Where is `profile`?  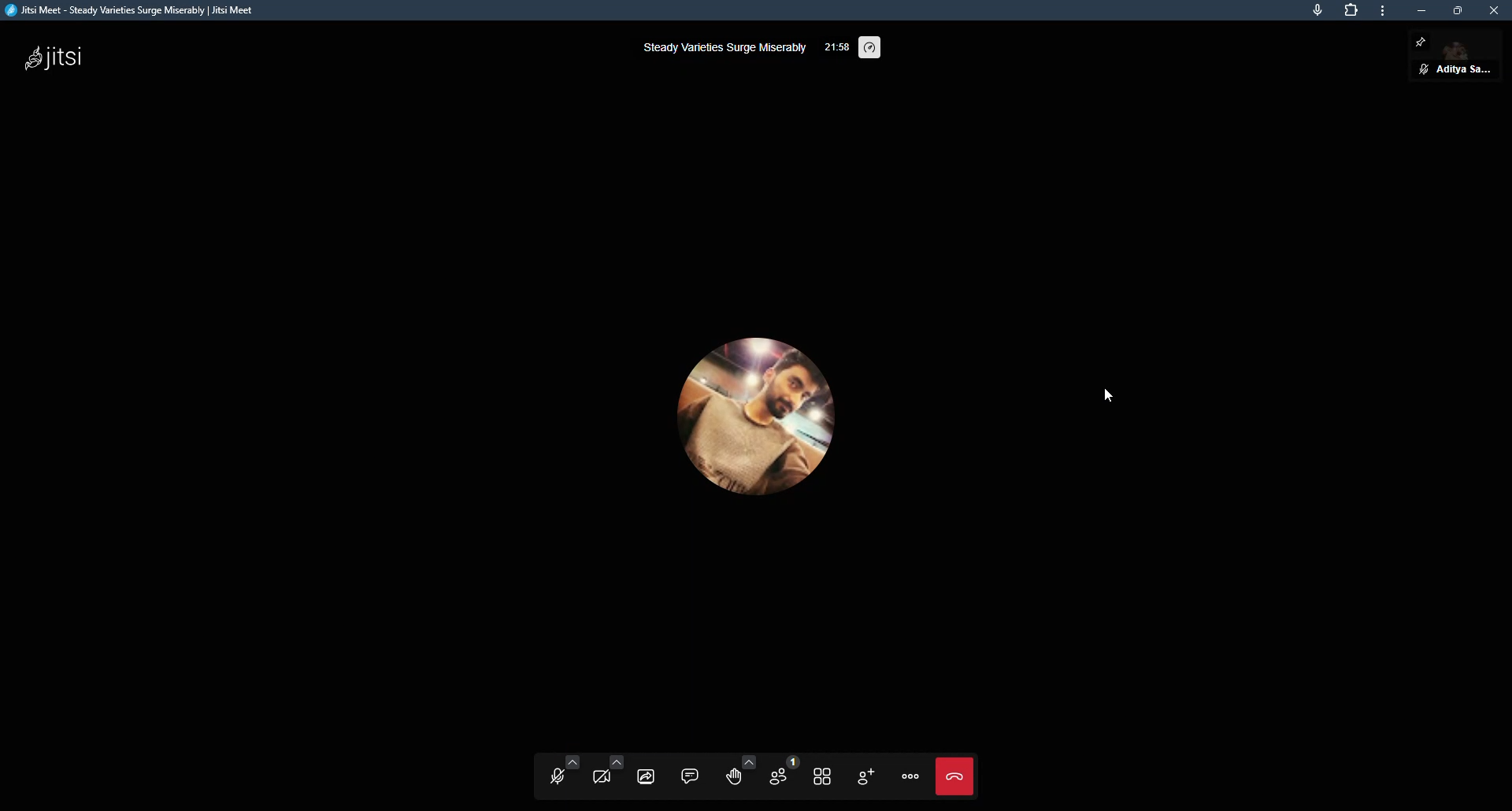 profile is located at coordinates (748, 406).